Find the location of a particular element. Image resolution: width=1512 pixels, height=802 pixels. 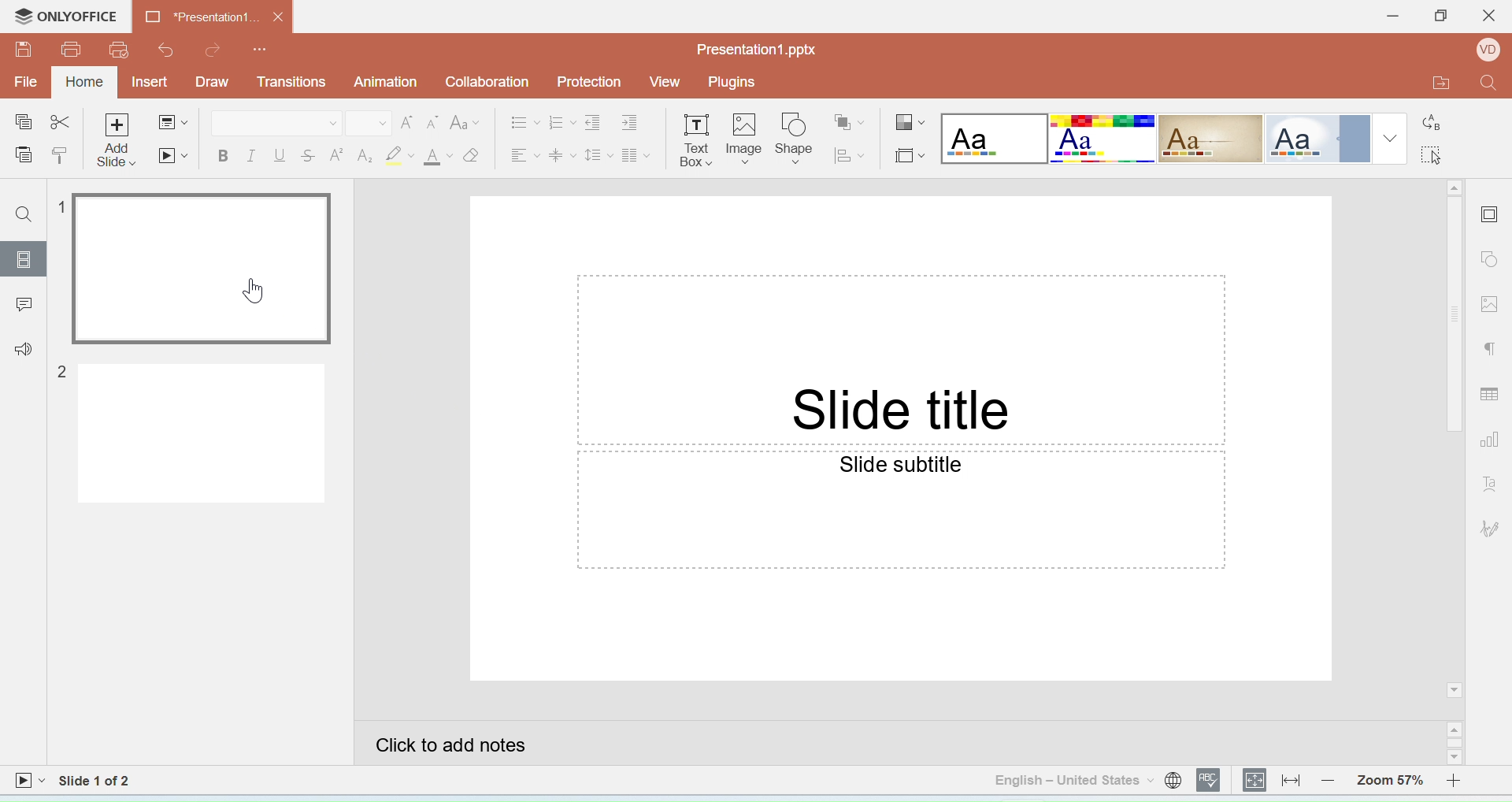

Add slide is located at coordinates (119, 141).